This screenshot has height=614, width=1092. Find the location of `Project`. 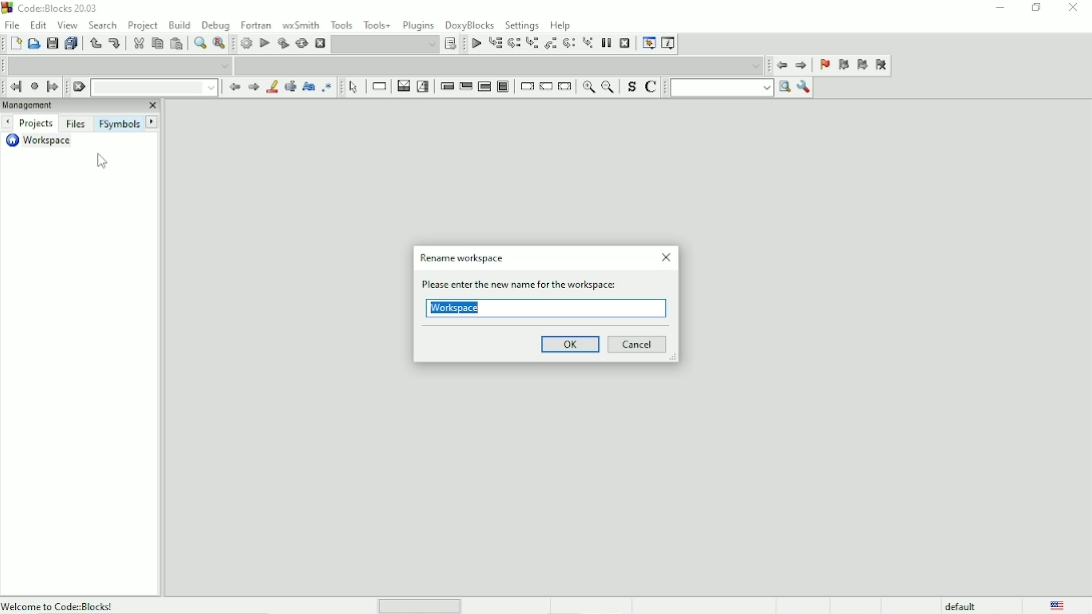

Project is located at coordinates (144, 25).